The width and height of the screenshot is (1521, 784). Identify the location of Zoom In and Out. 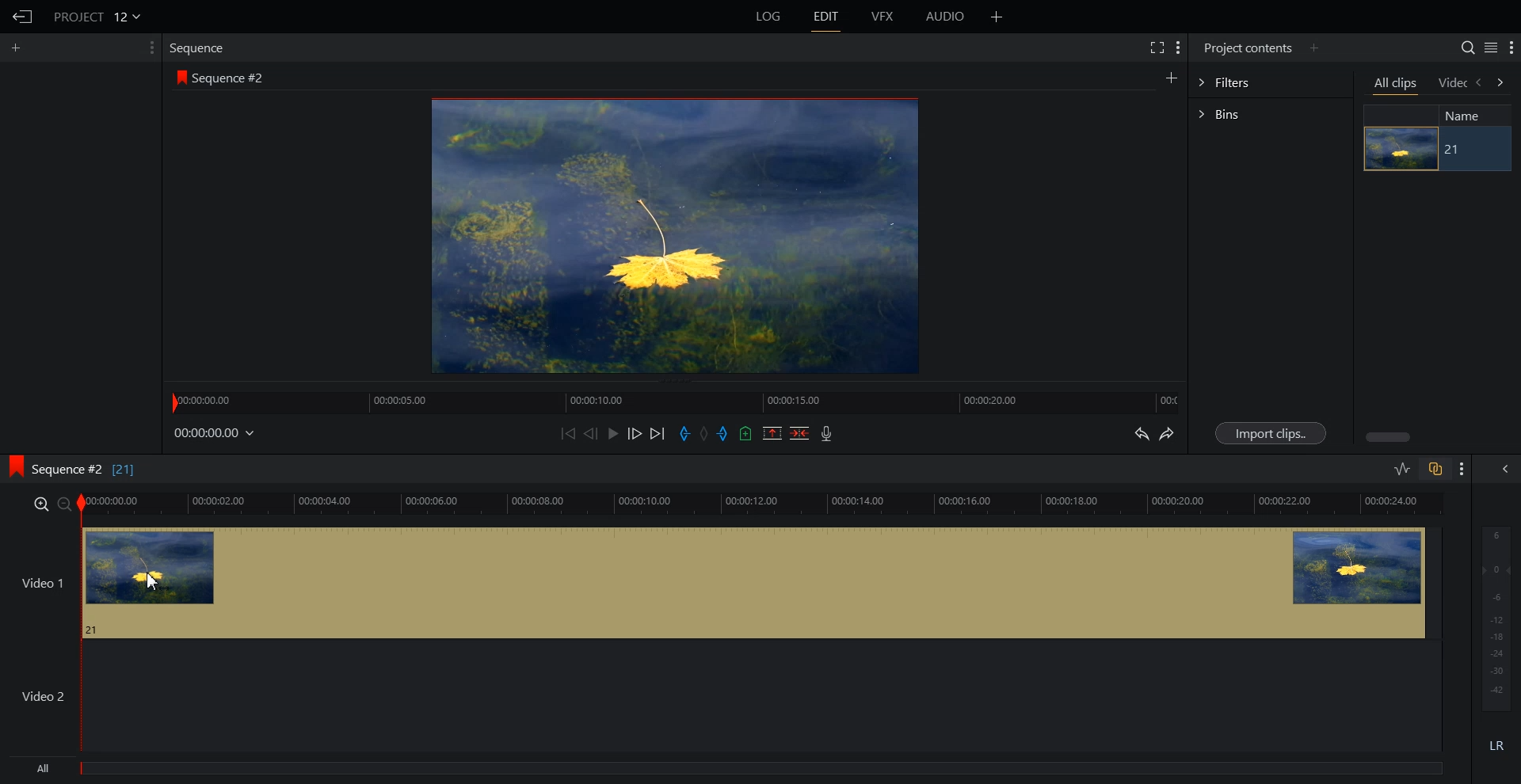
(52, 504).